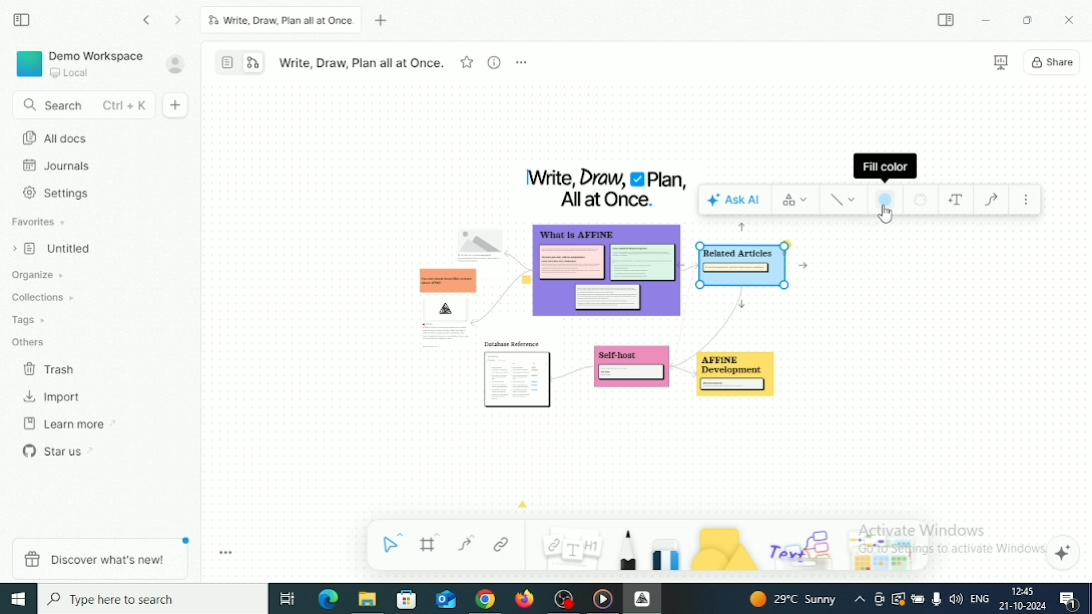 This screenshot has height=614, width=1092. I want to click on Collapse sidebar, so click(21, 19).